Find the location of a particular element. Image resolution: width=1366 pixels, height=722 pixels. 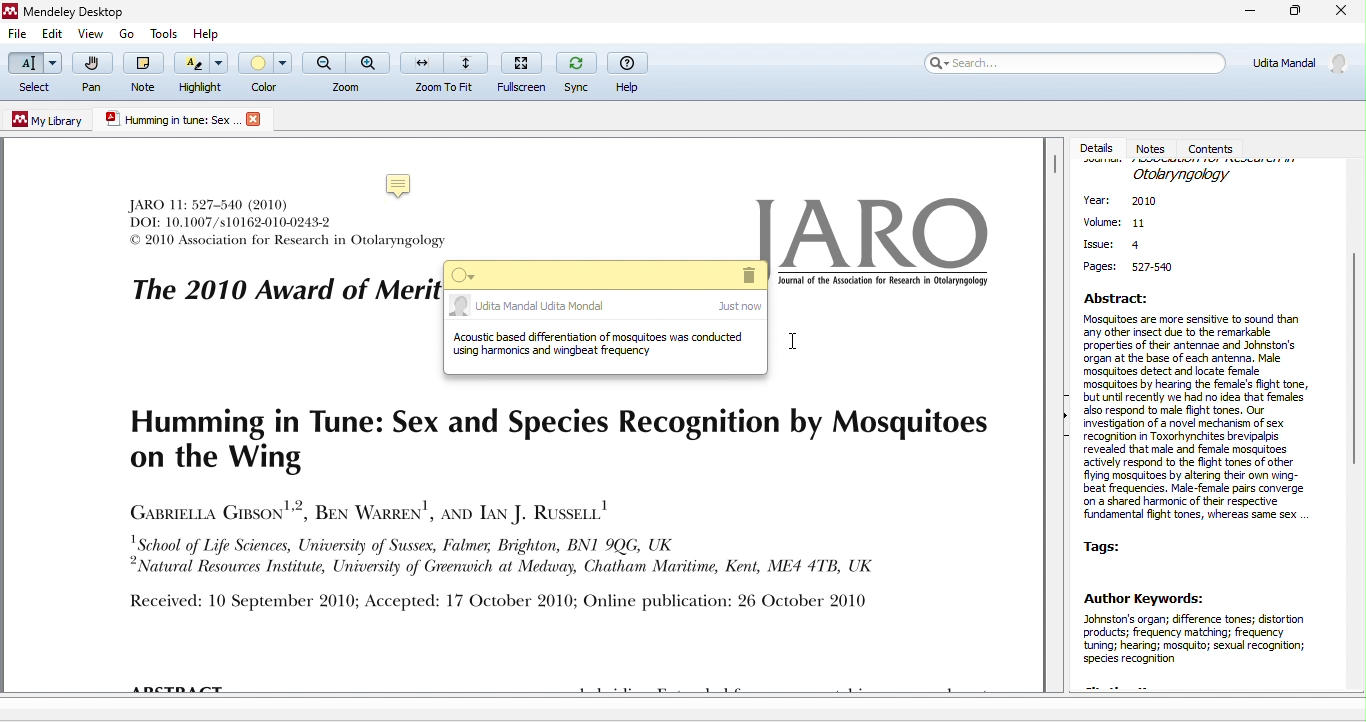

delete is located at coordinates (747, 275).